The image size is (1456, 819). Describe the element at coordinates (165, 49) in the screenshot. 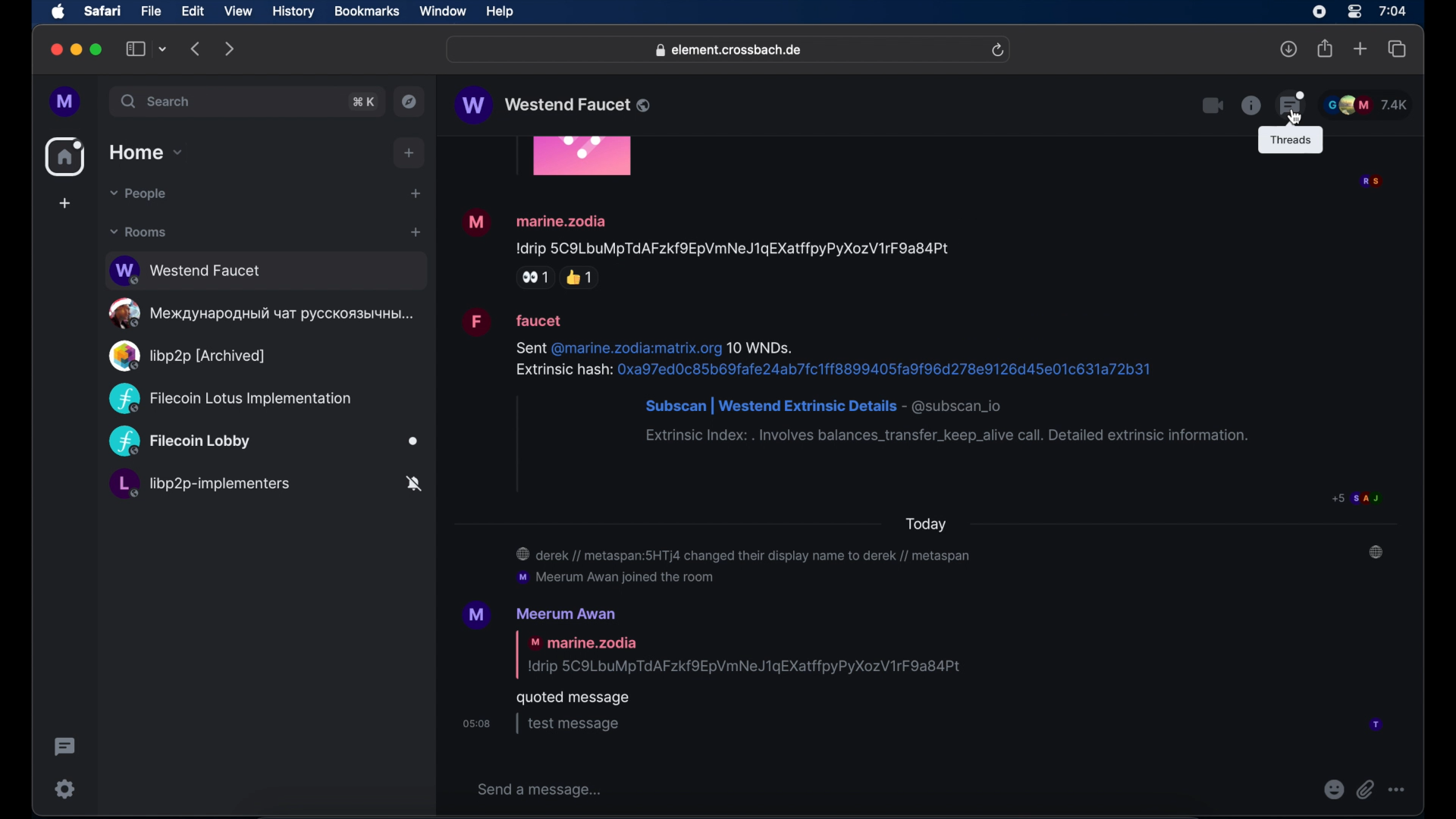

I see `tab group picker` at that location.